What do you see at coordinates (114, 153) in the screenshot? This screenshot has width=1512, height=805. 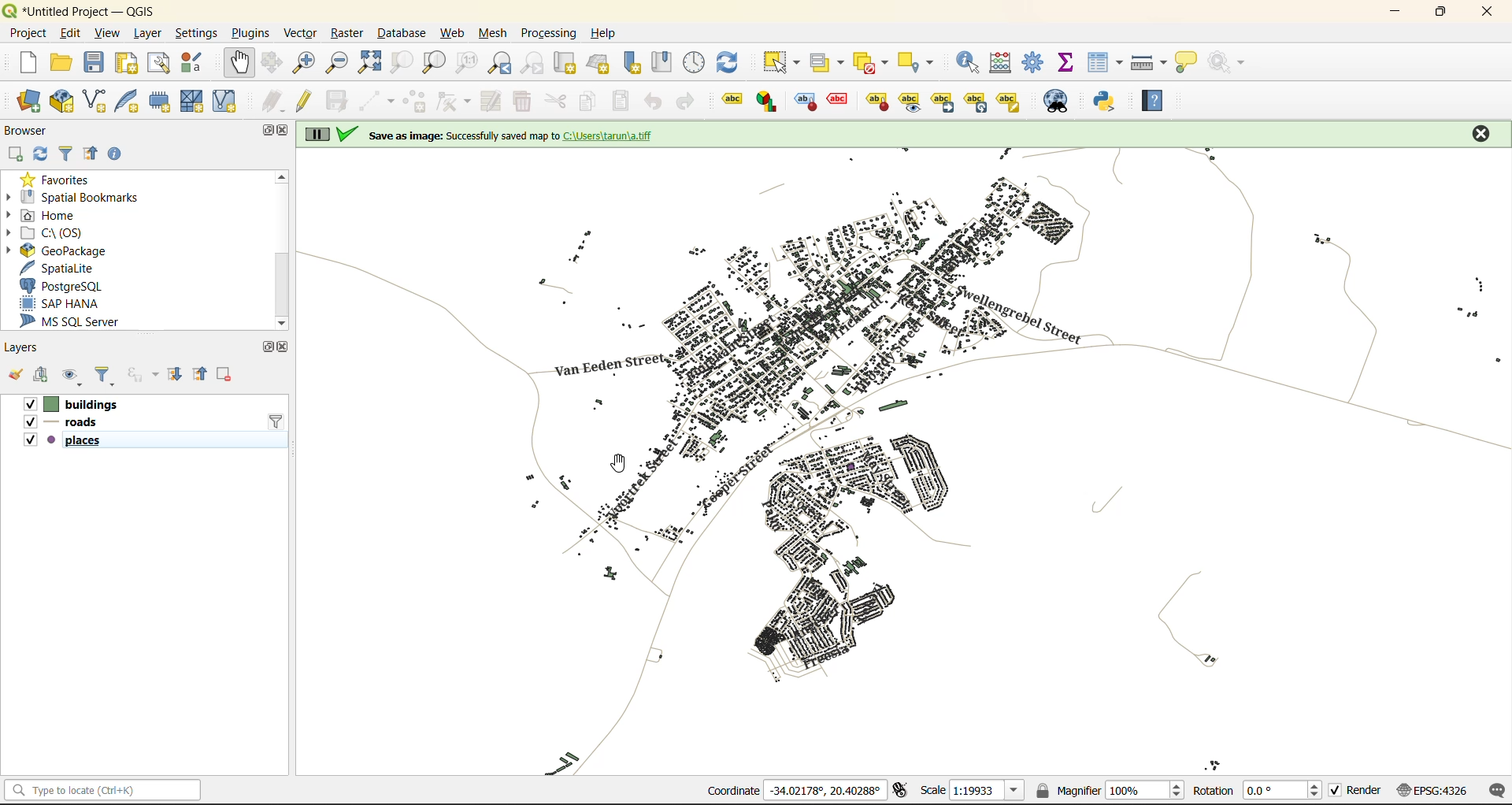 I see `enable properties` at bounding box center [114, 153].